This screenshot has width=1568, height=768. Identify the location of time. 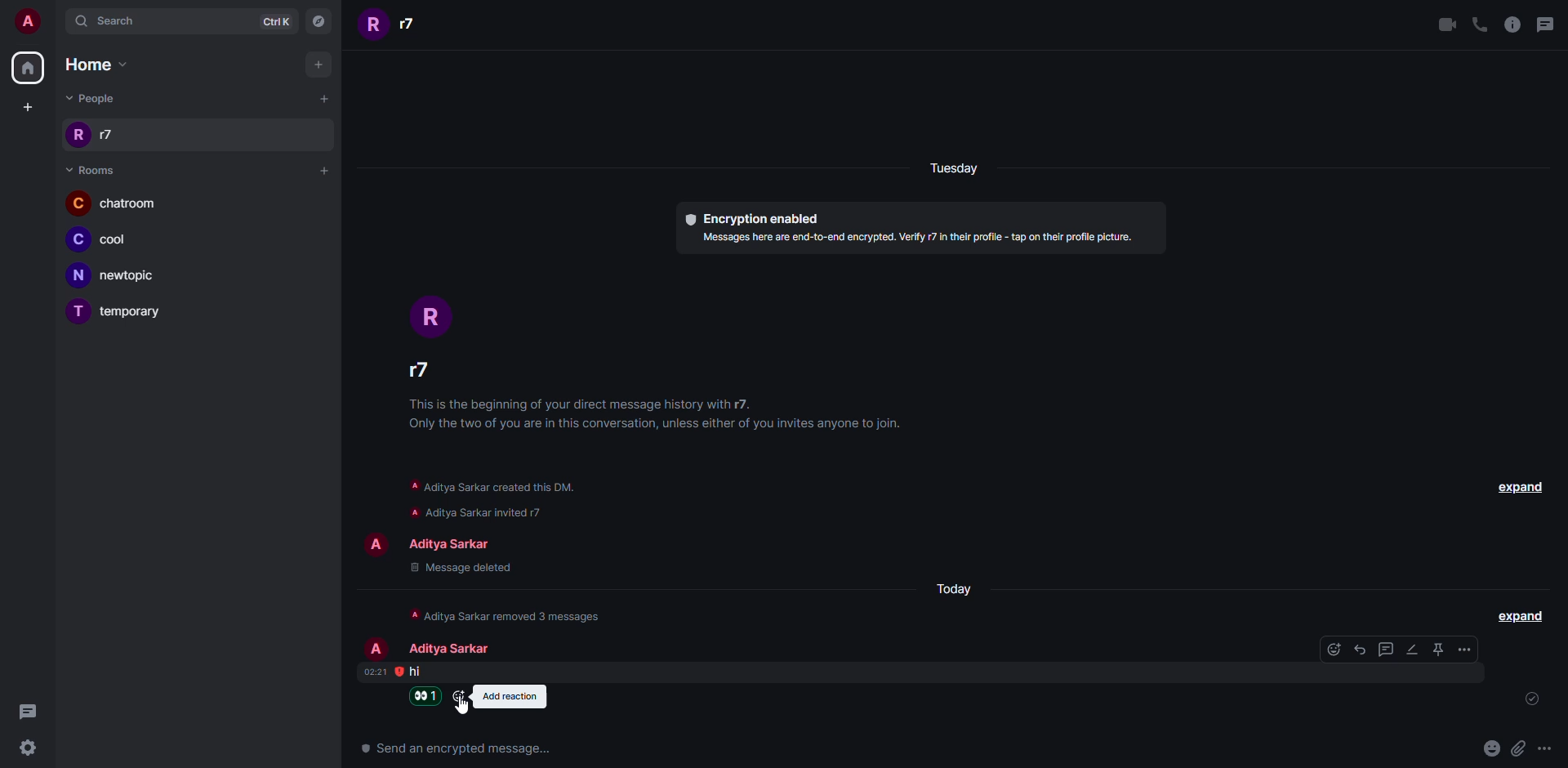
(376, 672).